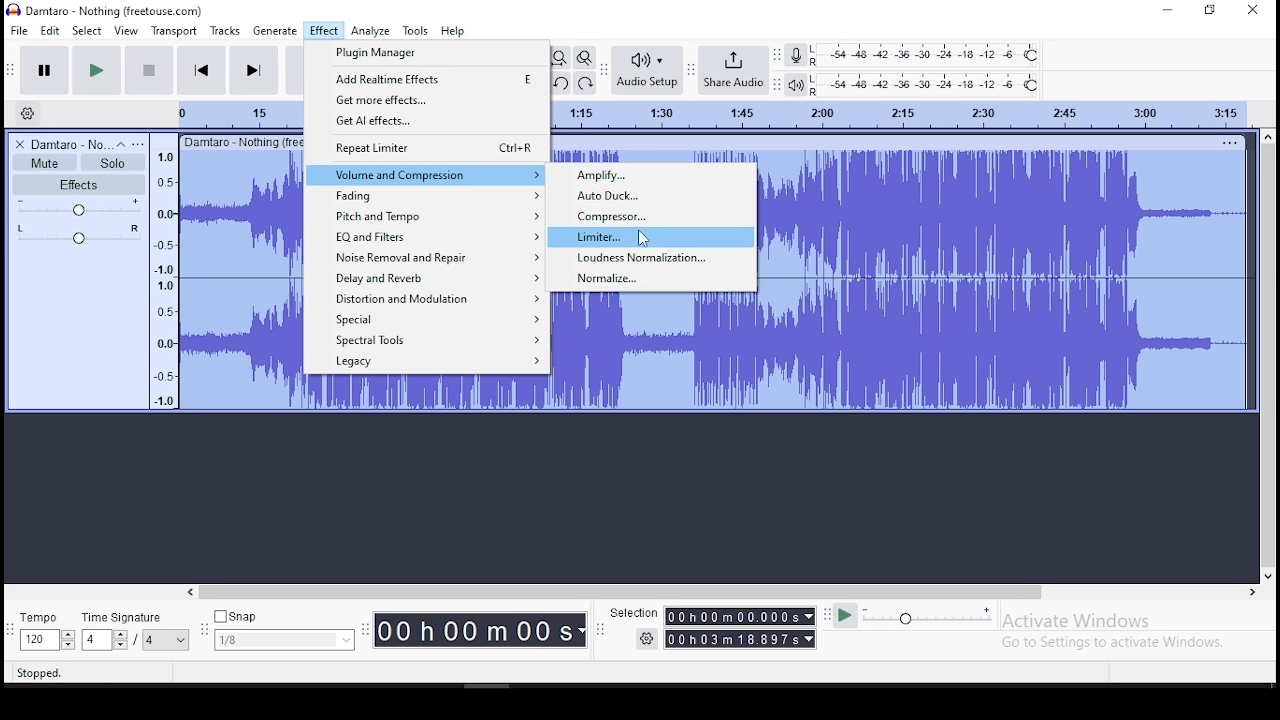 Image resolution: width=1280 pixels, height=720 pixels. I want to click on transport, so click(173, 30).